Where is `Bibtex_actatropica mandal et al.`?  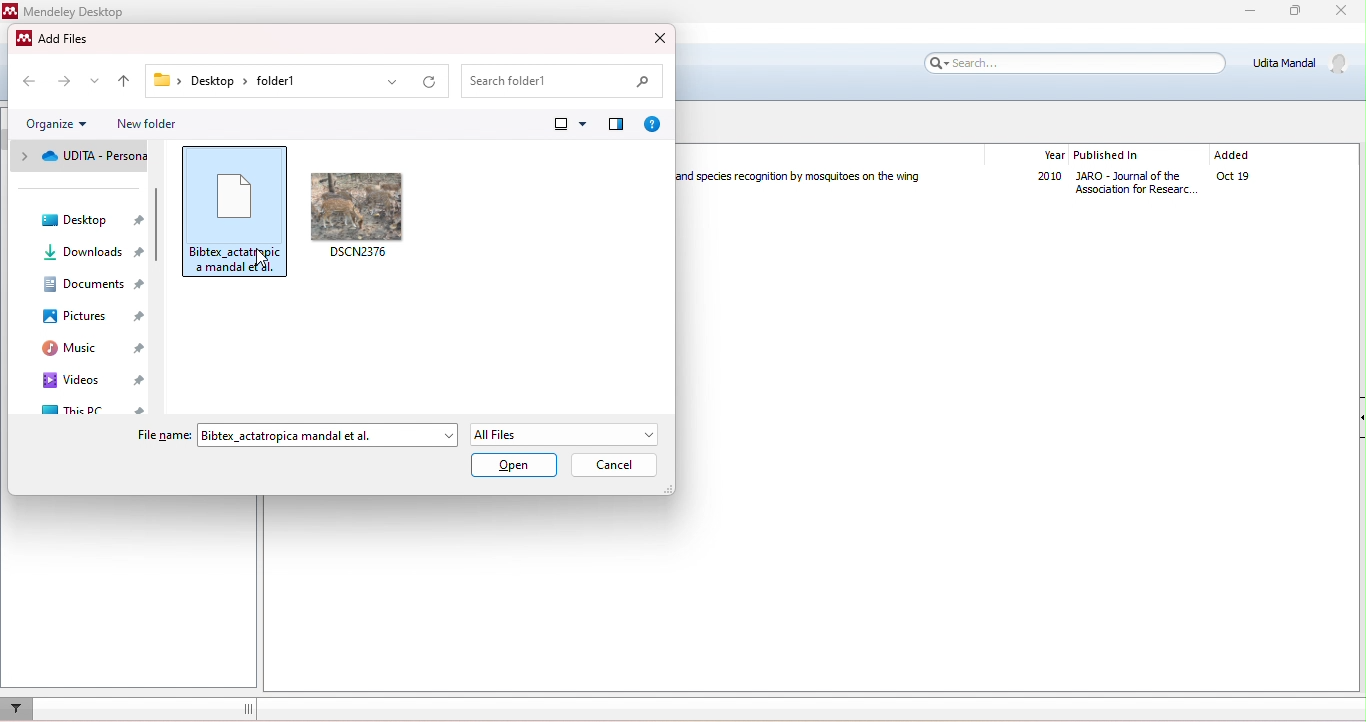
Bibtex_actatropica mandal et al. is located at coordinates (319, 435).